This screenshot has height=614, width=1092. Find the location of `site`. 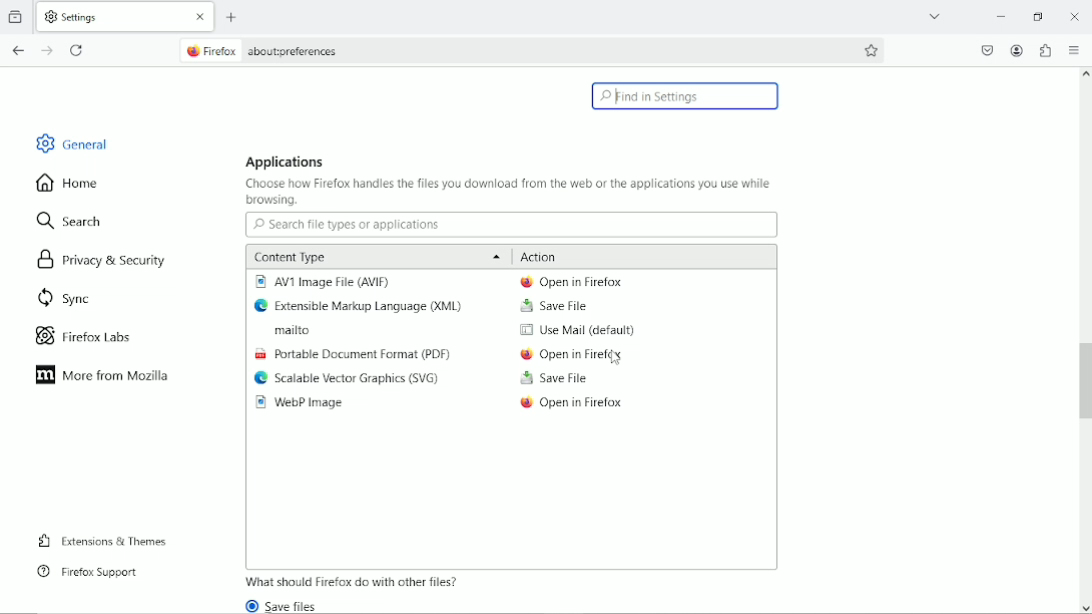

site is located at coordinates (262, 49).